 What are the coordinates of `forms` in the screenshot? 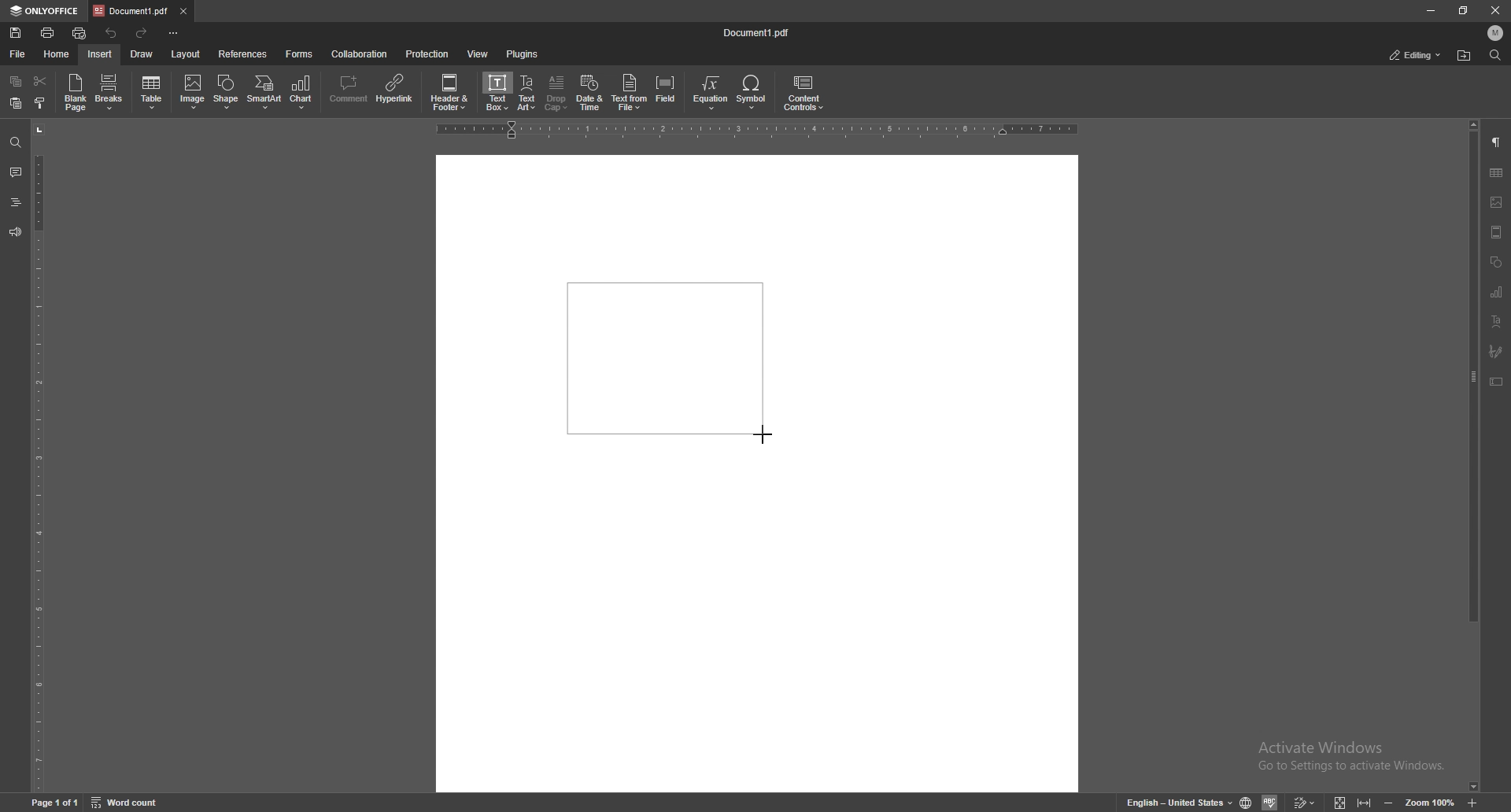 It's located at (301, 54).